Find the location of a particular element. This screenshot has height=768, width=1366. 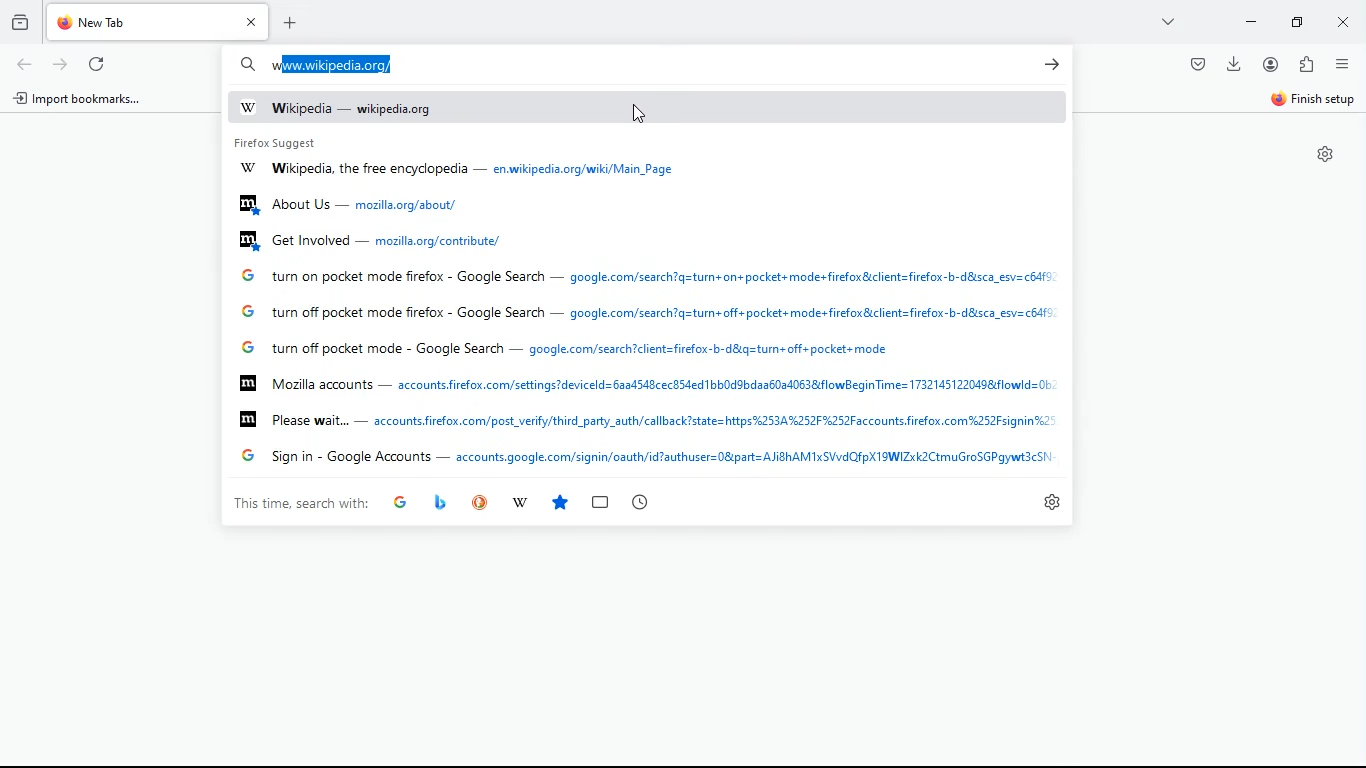

close is located at coordinates (1340, 22).